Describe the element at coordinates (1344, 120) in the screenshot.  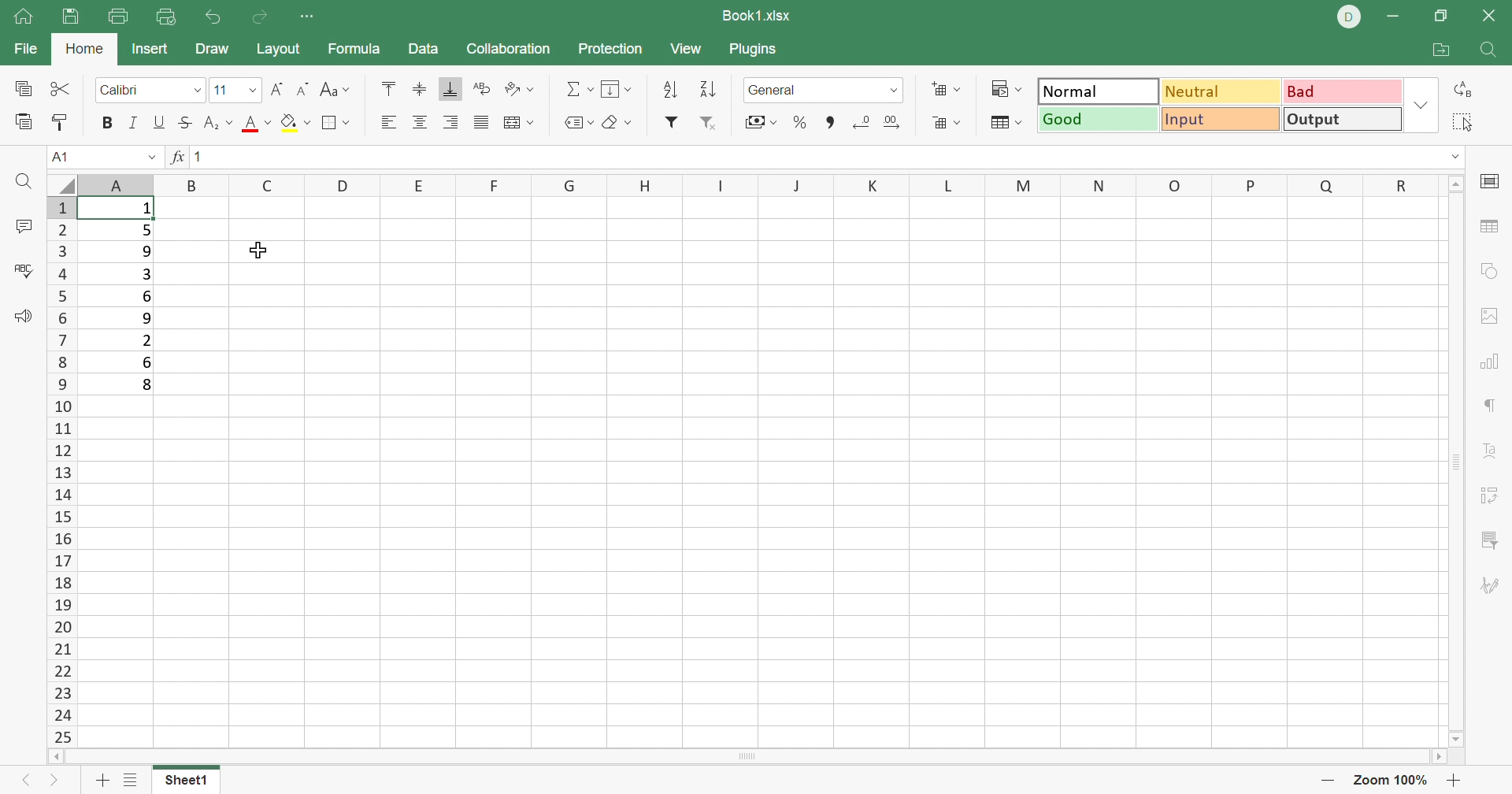
I see `Output` at that location.